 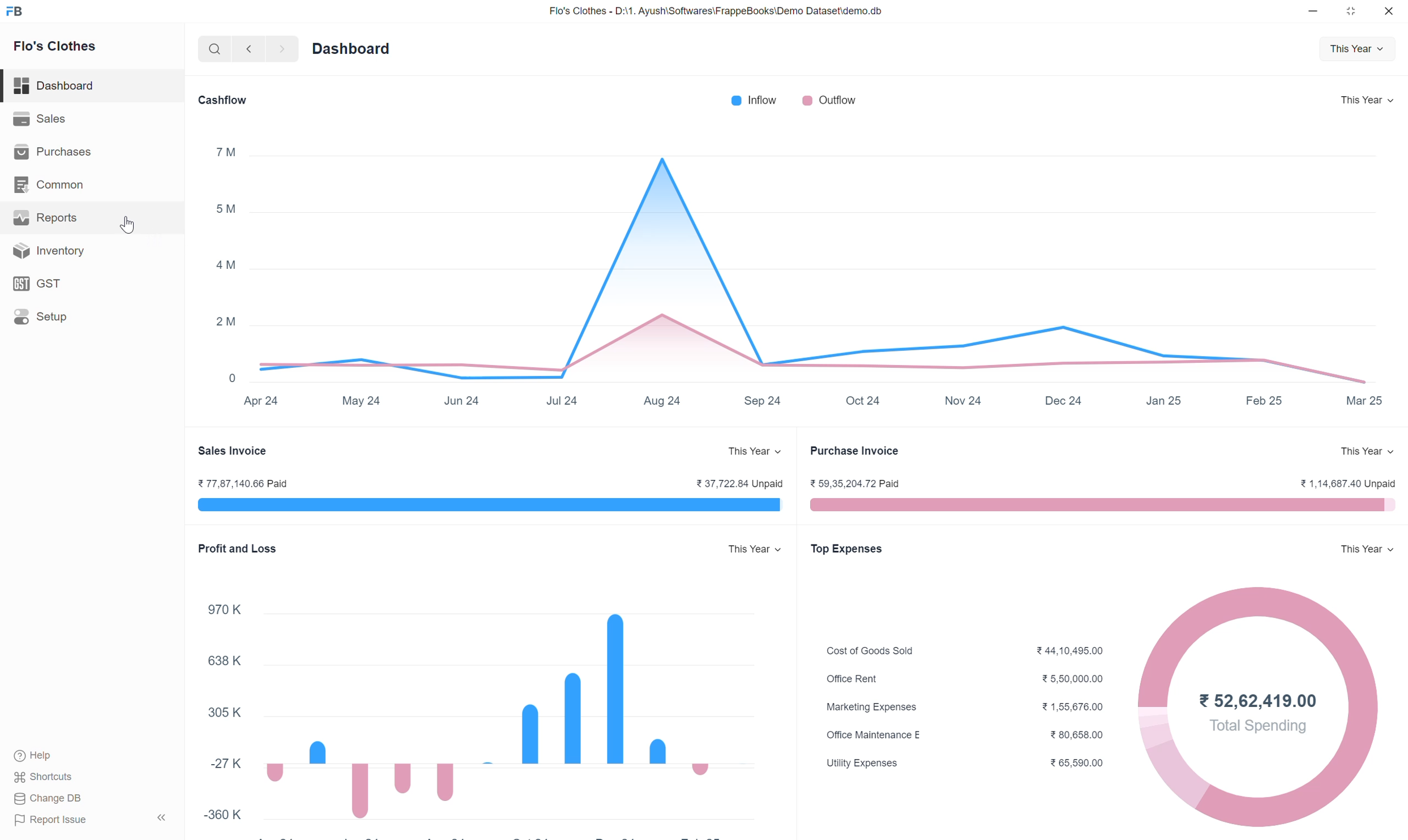 I want to click on Bar, so click(x=487, y=504).